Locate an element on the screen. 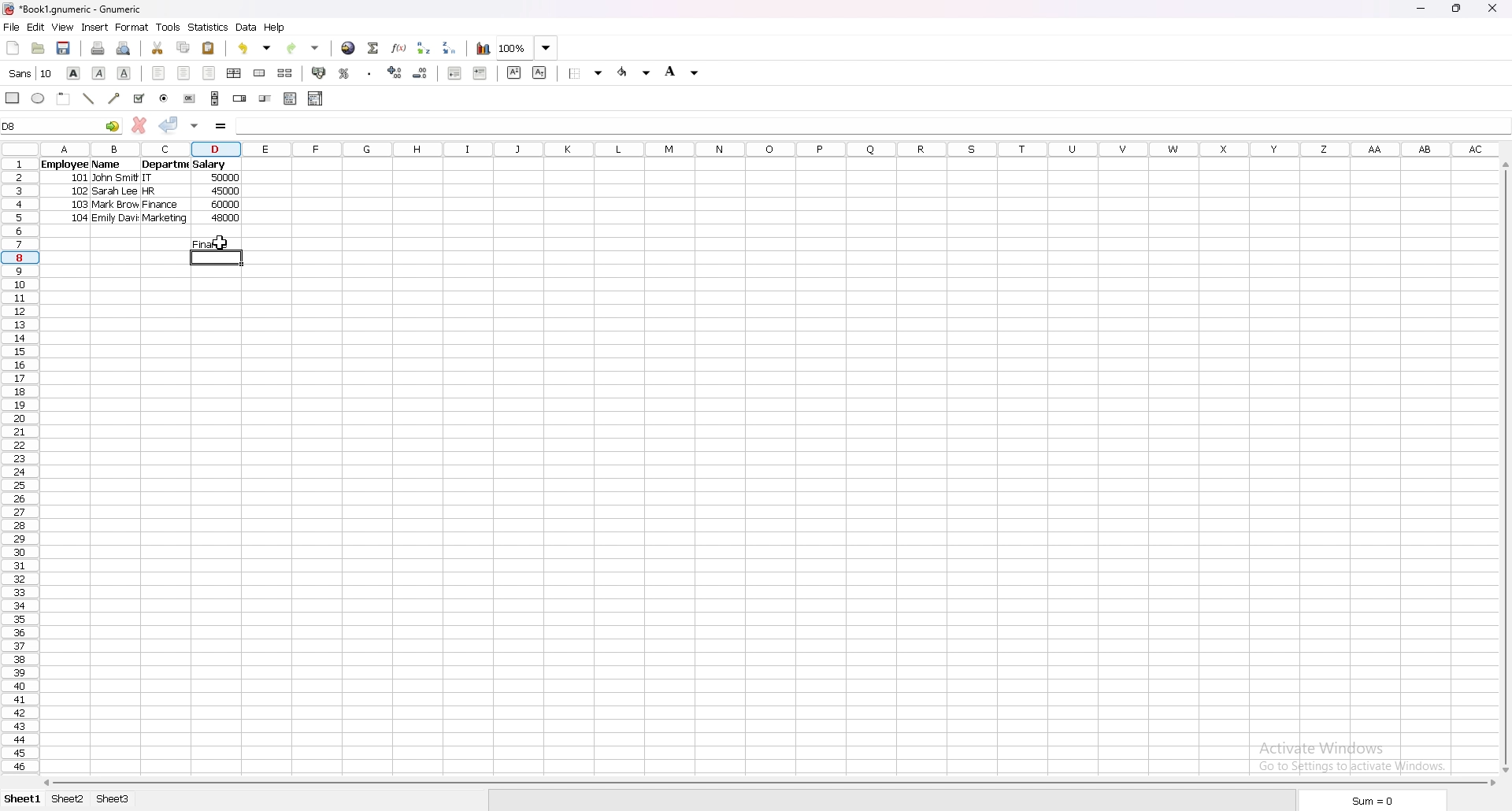 The width and height of the screenshot is (1512, 811). statistics is located at coordinates (208, 28).